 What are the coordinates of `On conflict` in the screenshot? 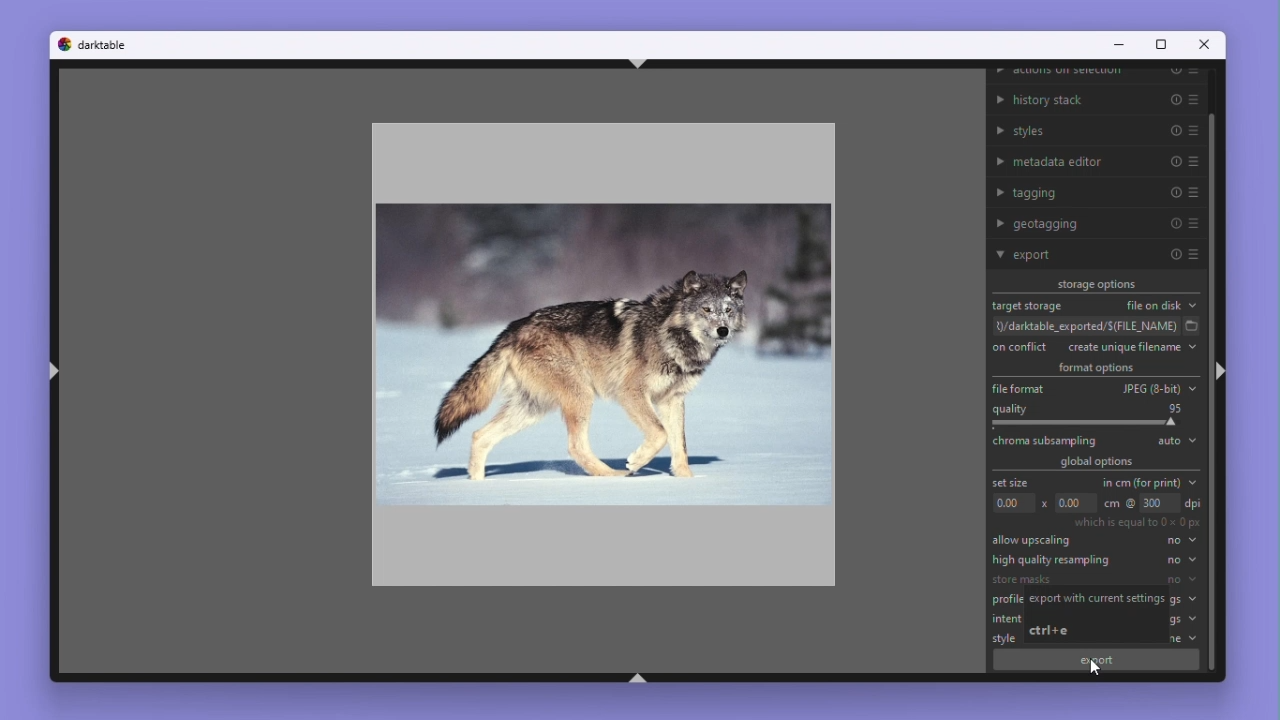 It's located at (1022, 348).